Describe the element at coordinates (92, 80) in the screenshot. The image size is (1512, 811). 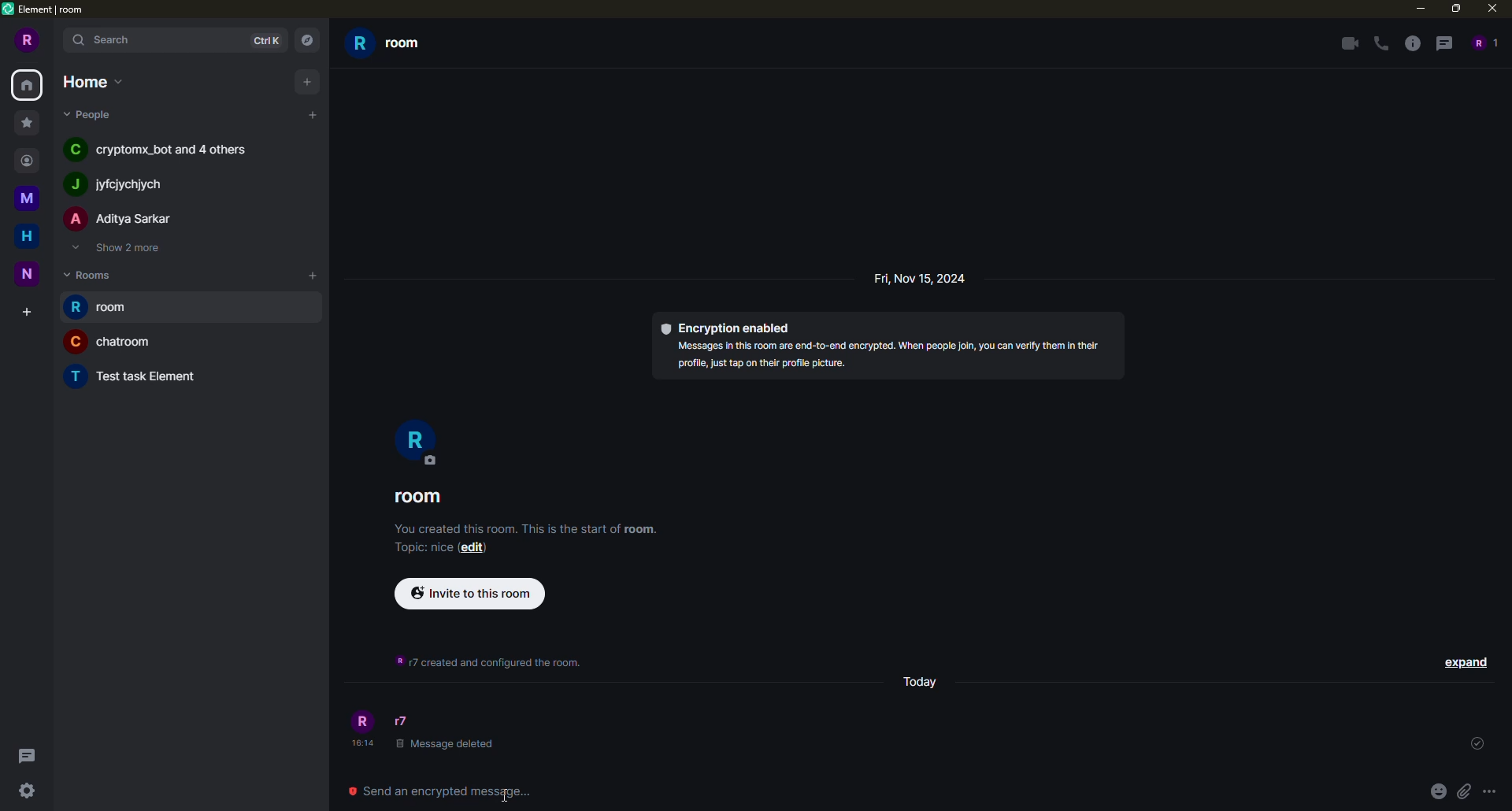
I see `home` at that location.